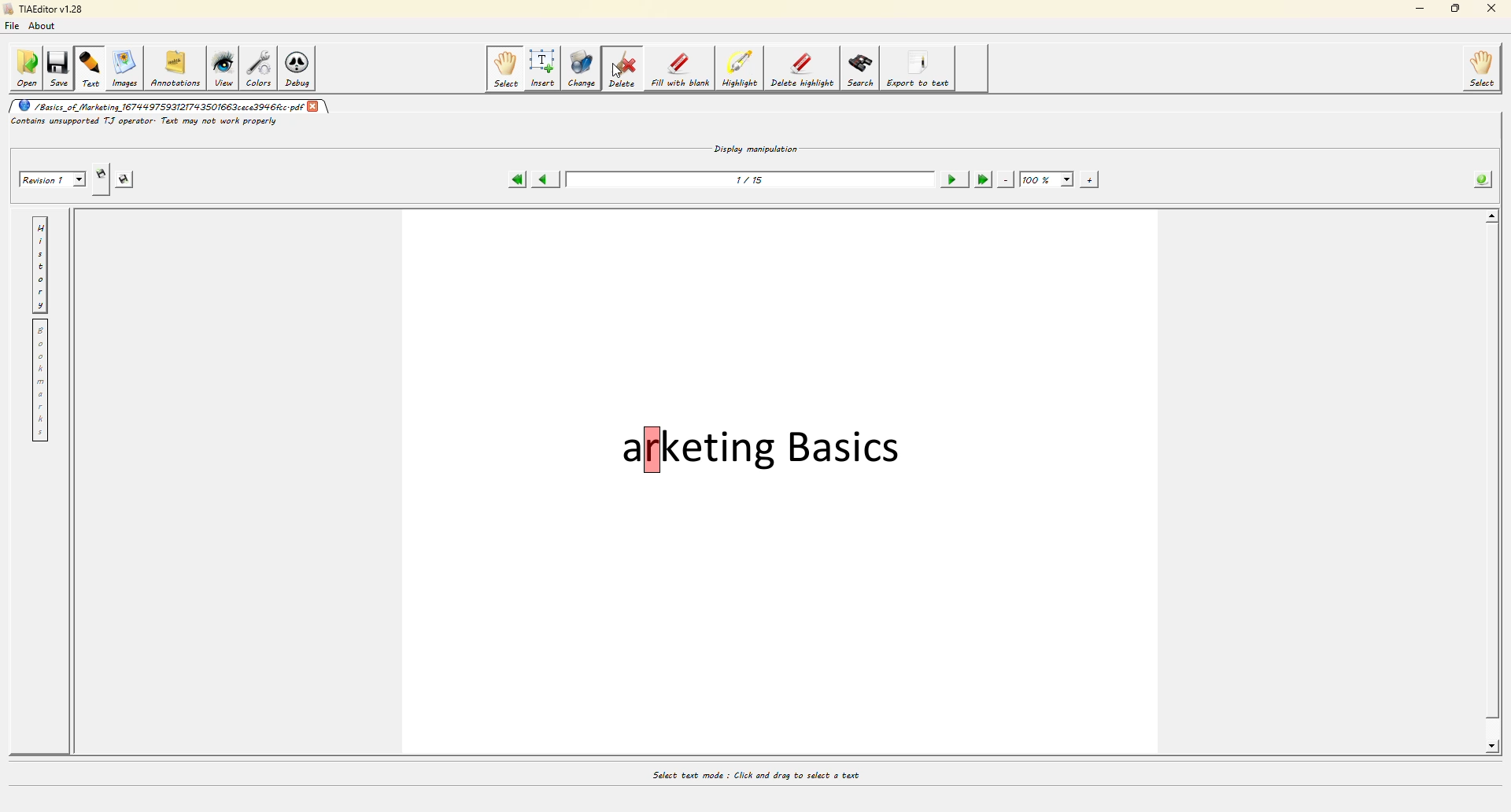 This screenshot has width=1511, height=812. I want to click on Contains unsupported TJ operator. Text may not work properly., so click(144, 123).